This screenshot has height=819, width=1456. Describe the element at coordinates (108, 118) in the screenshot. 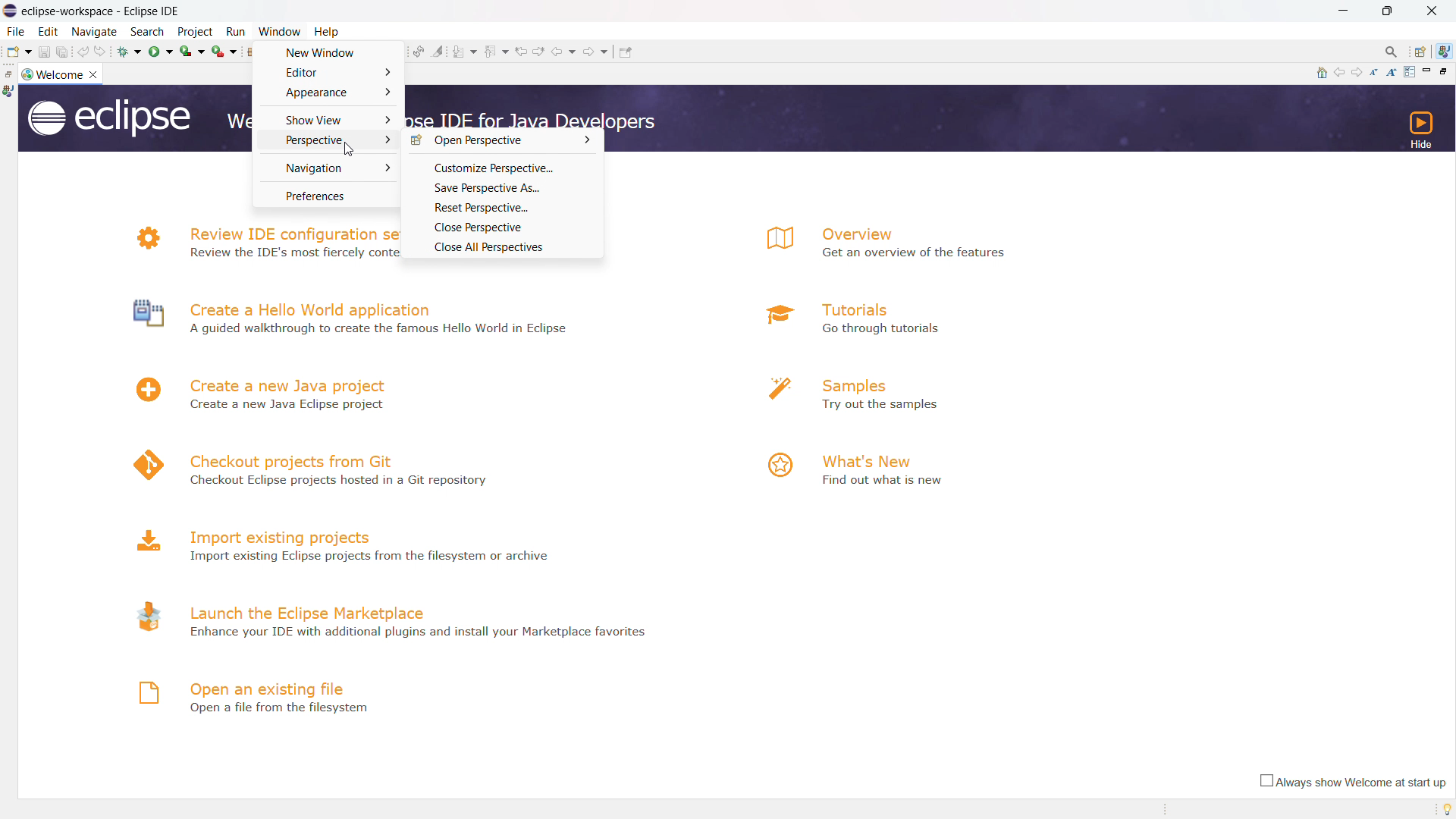

I see `logo` at that location.